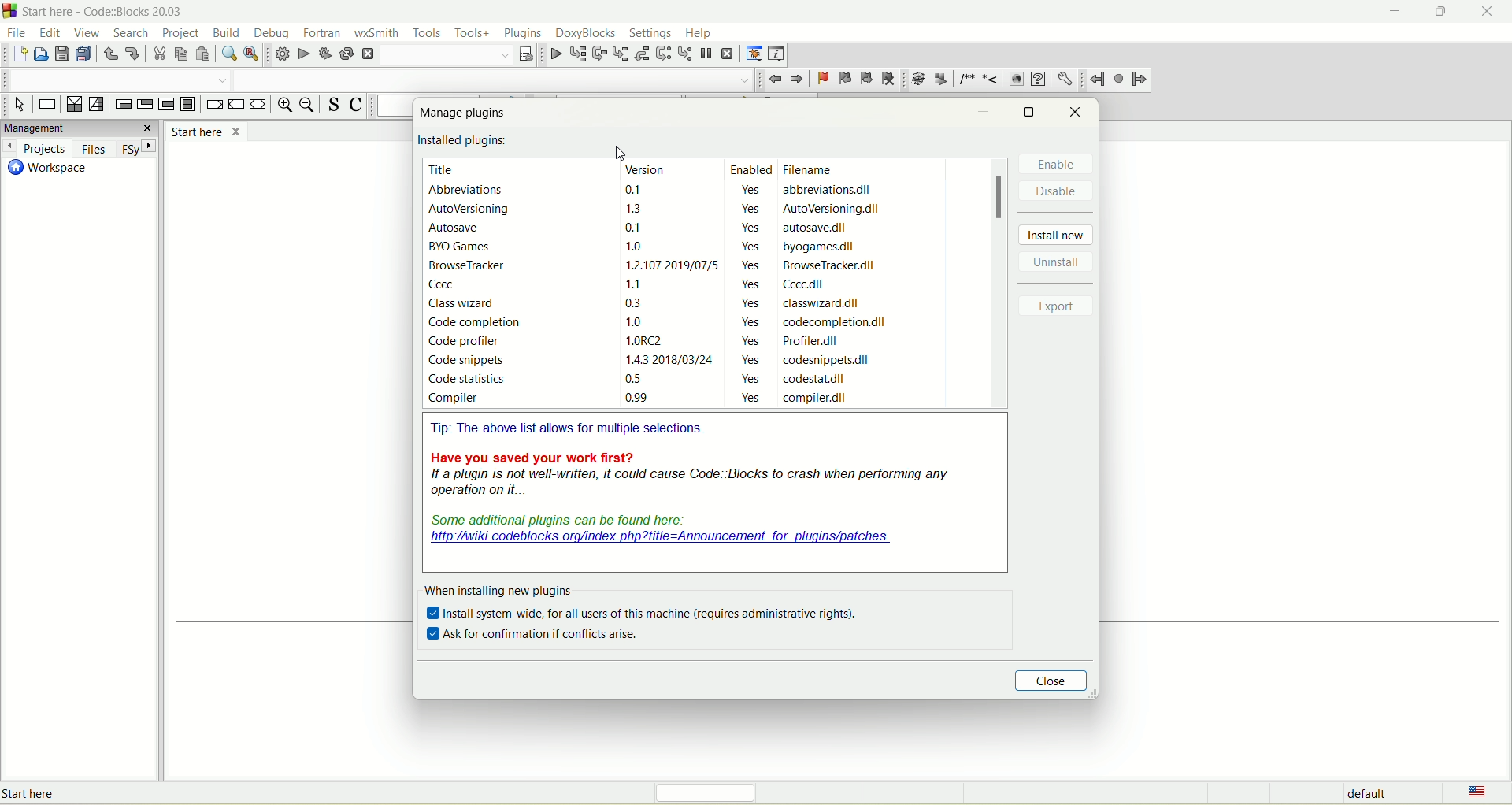 The height and width of the screenshot is (805, 1512). Describe the element at coordinates (19, 55) in the screenshot. I see `new` at that location.